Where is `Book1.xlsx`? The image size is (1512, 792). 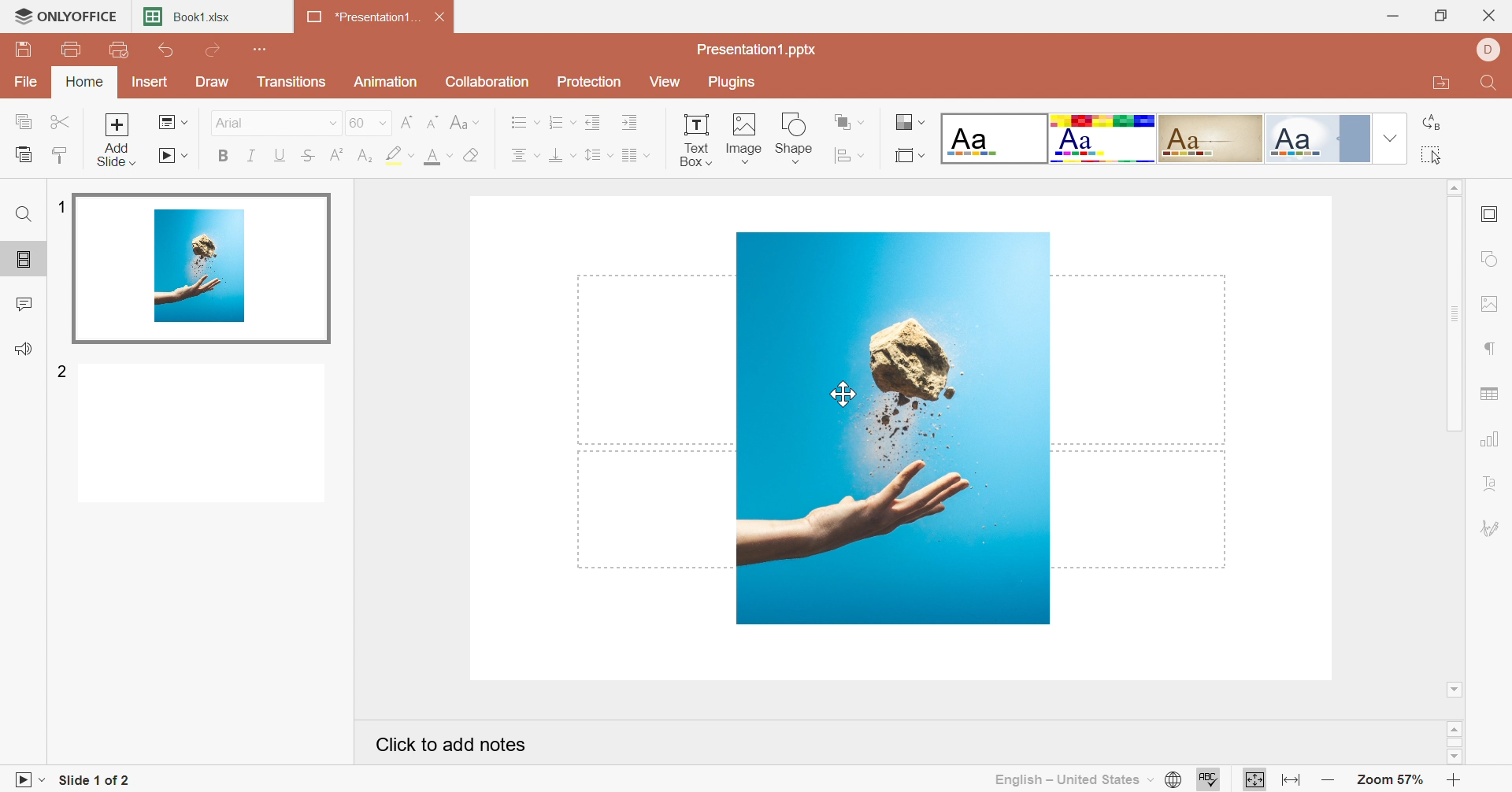
Book1.xlsx is located at coordinates (193, 16).